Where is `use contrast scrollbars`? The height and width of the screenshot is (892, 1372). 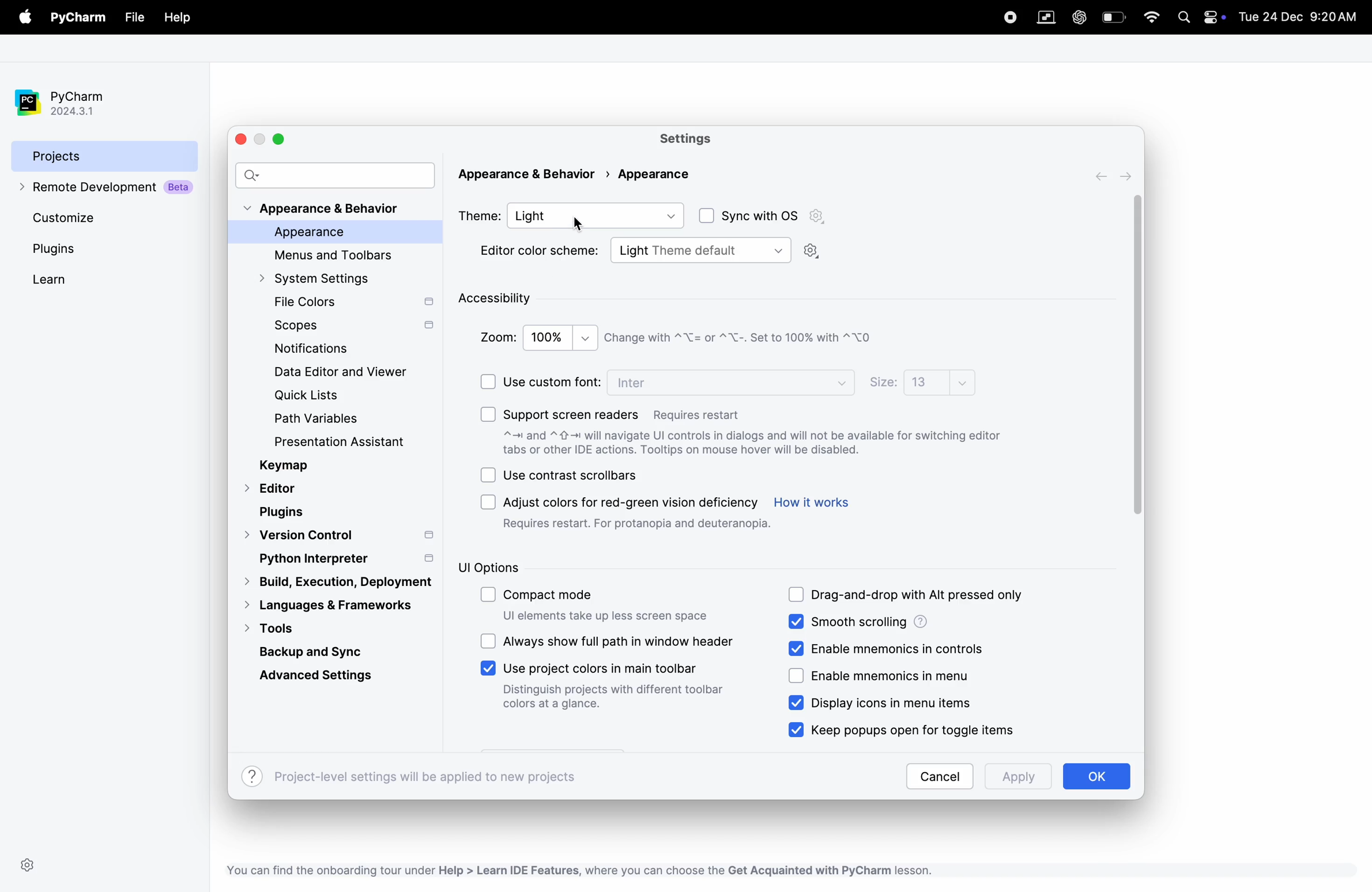
use contrast scrollbars is located at coordinates (572, 475).